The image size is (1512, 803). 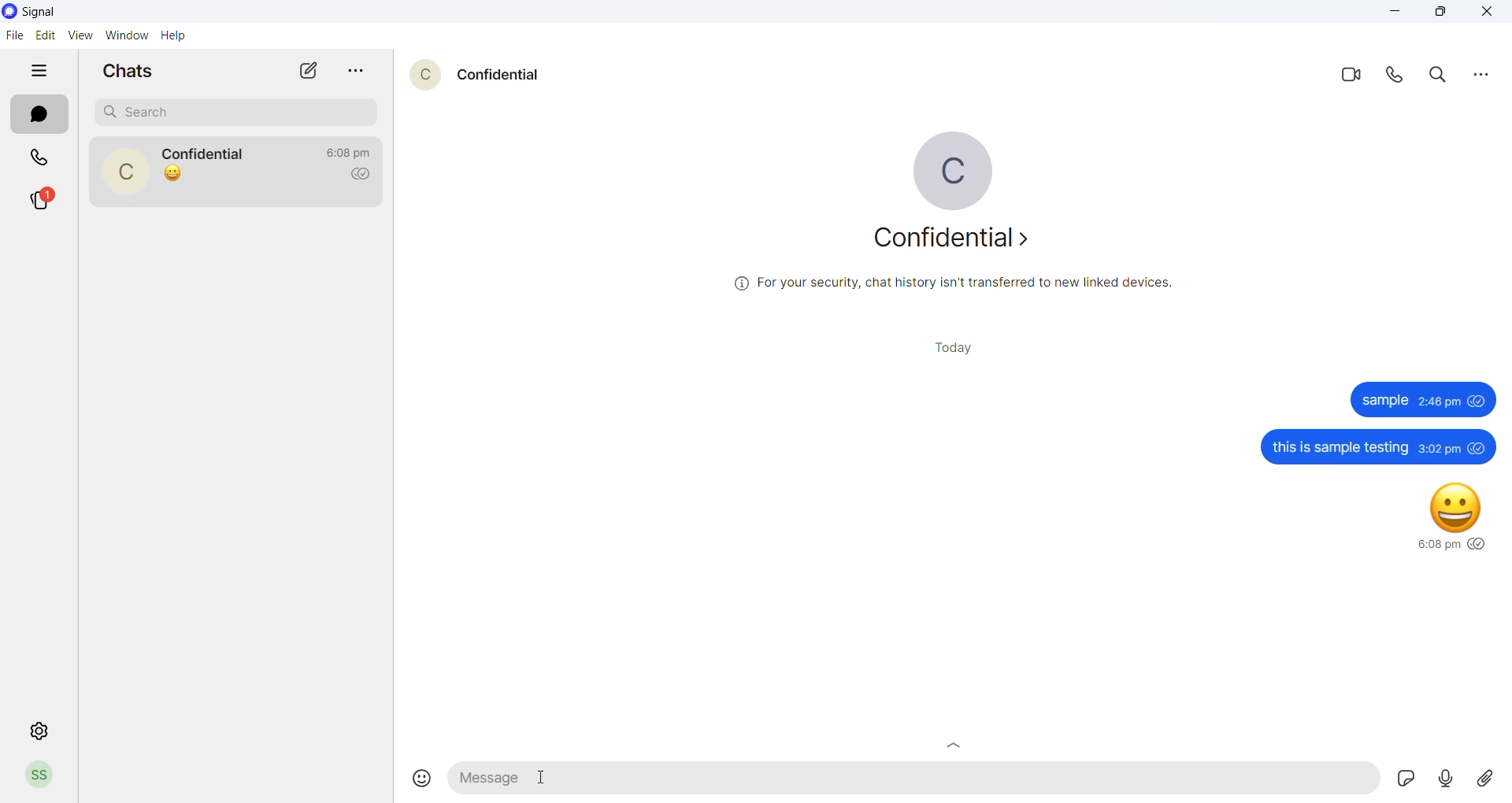 I want to click on contact profile picture, so click(x=428, y=79).